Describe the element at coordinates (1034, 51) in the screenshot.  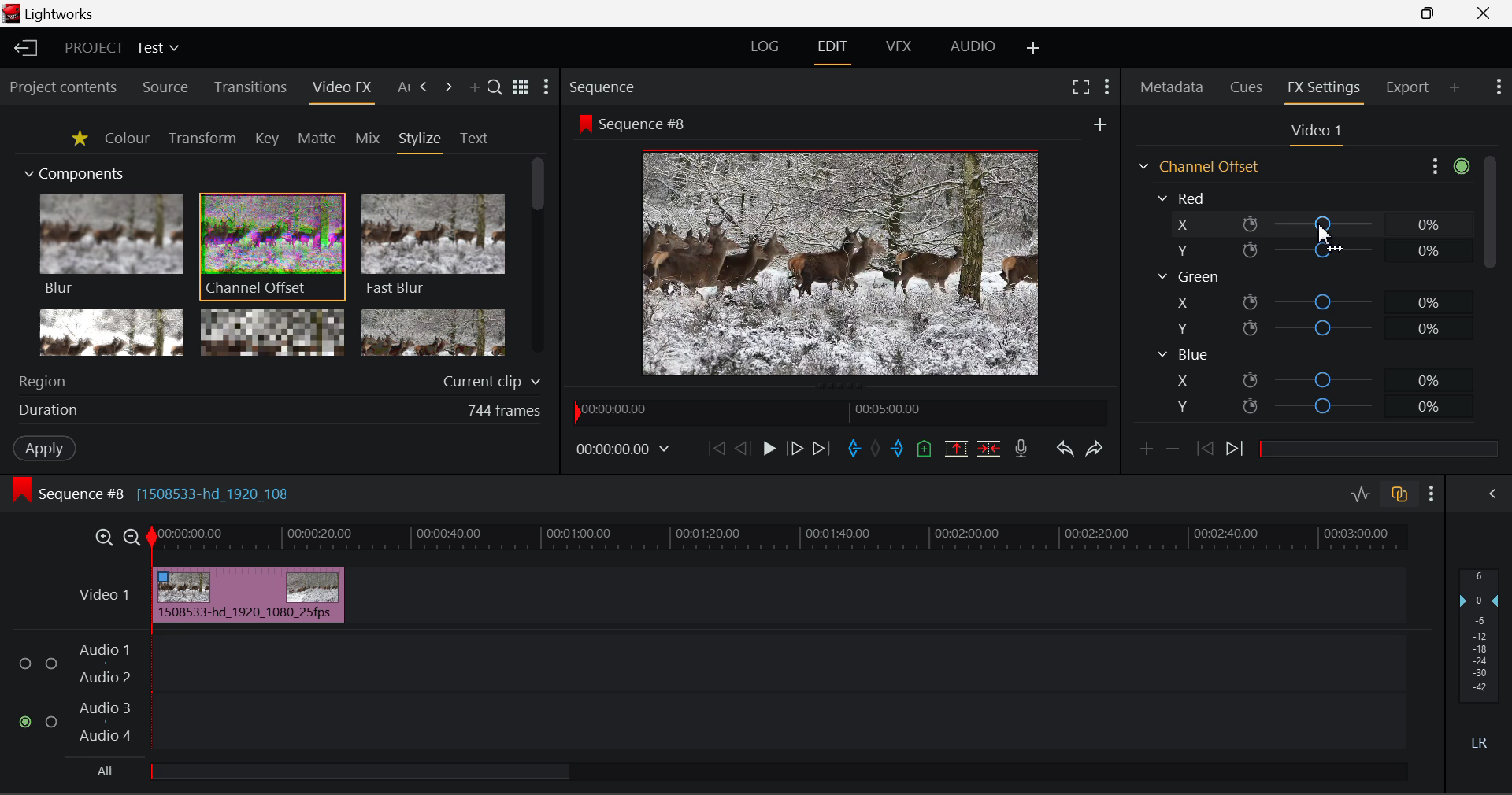
I see `Add Layout` at that location.